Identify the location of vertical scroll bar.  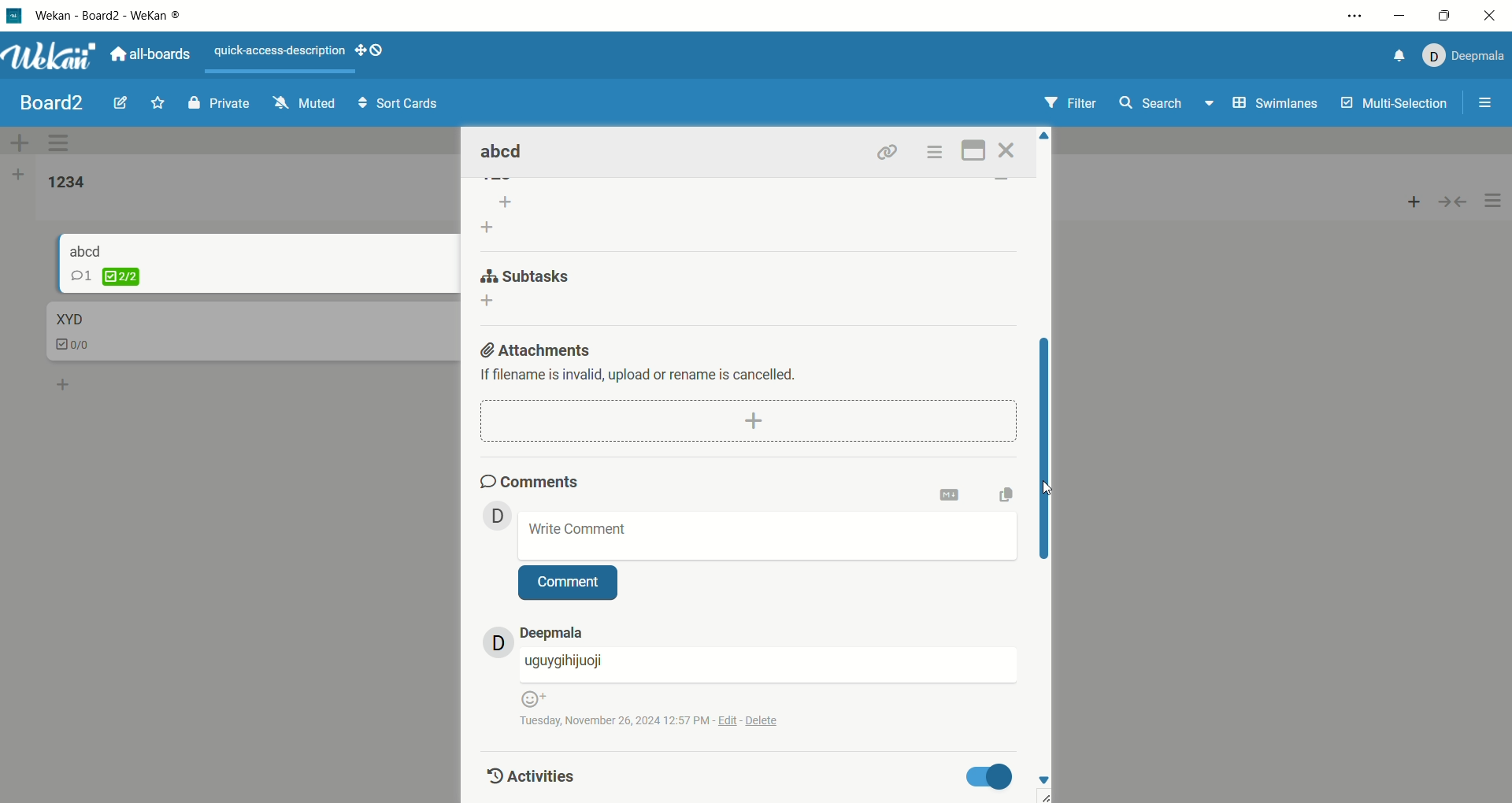
(1046, 450).